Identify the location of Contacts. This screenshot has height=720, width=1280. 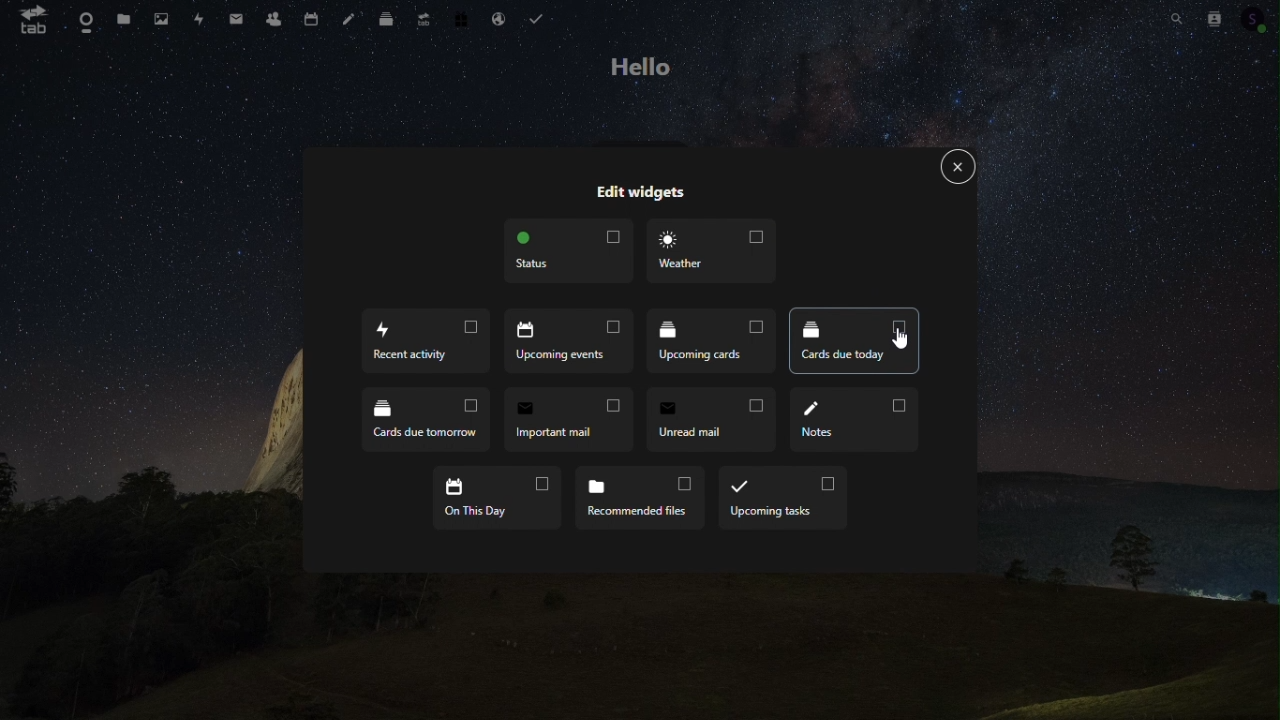
(1216, 20).